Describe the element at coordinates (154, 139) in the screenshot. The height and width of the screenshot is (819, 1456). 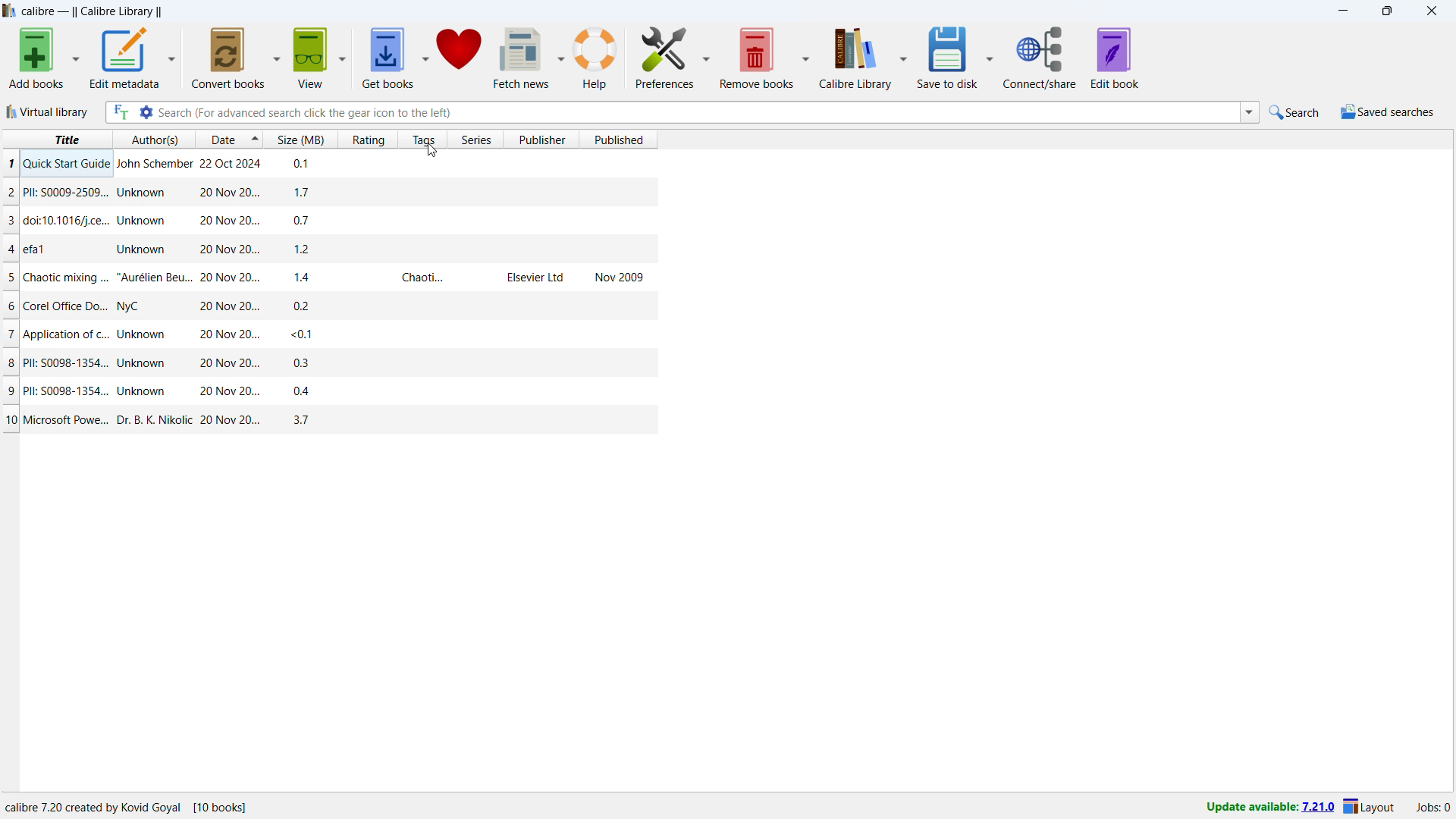
I see `sort by authors` at that location.